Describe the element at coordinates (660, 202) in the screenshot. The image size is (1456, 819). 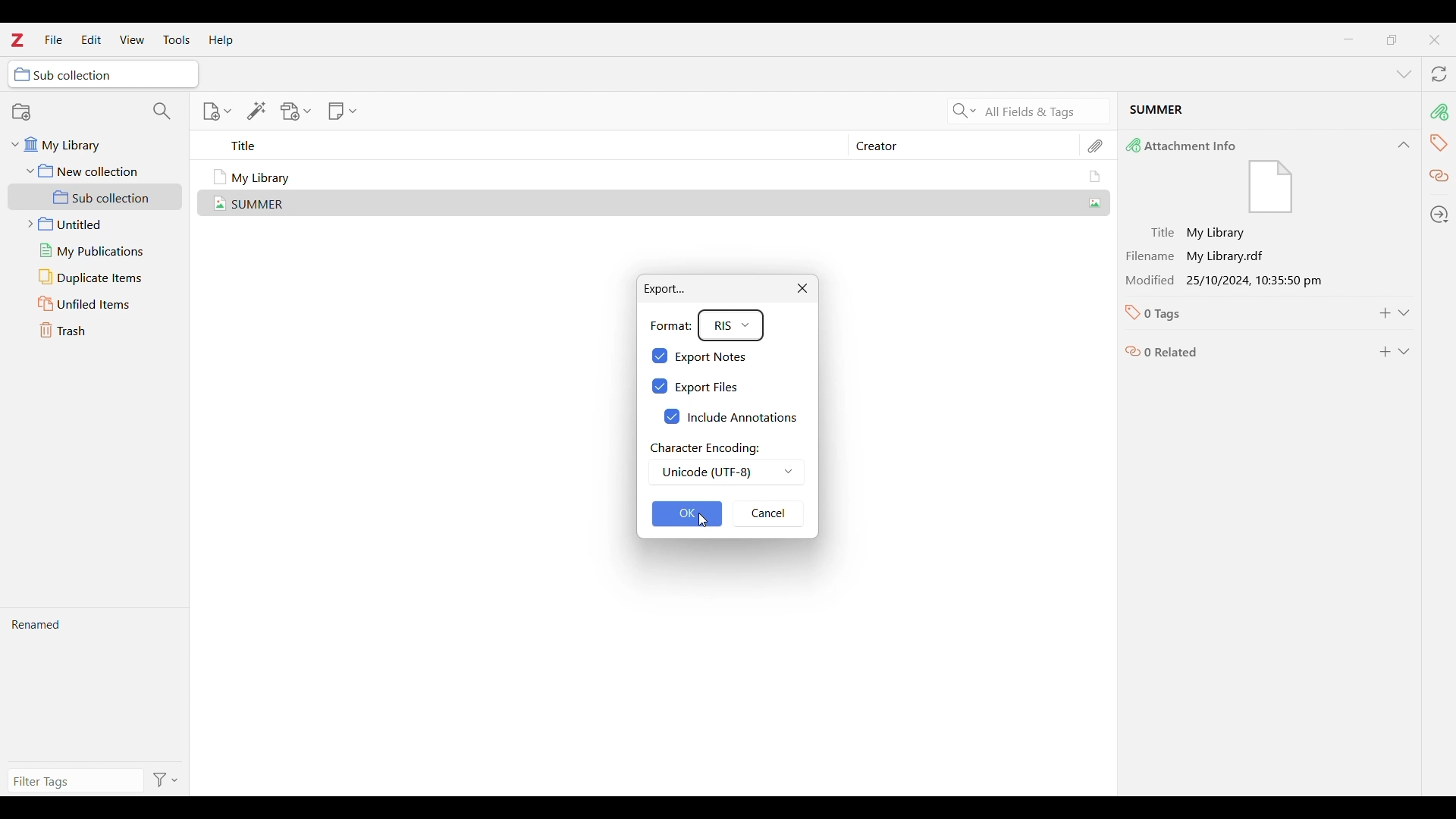
I see `Summer` at that location.